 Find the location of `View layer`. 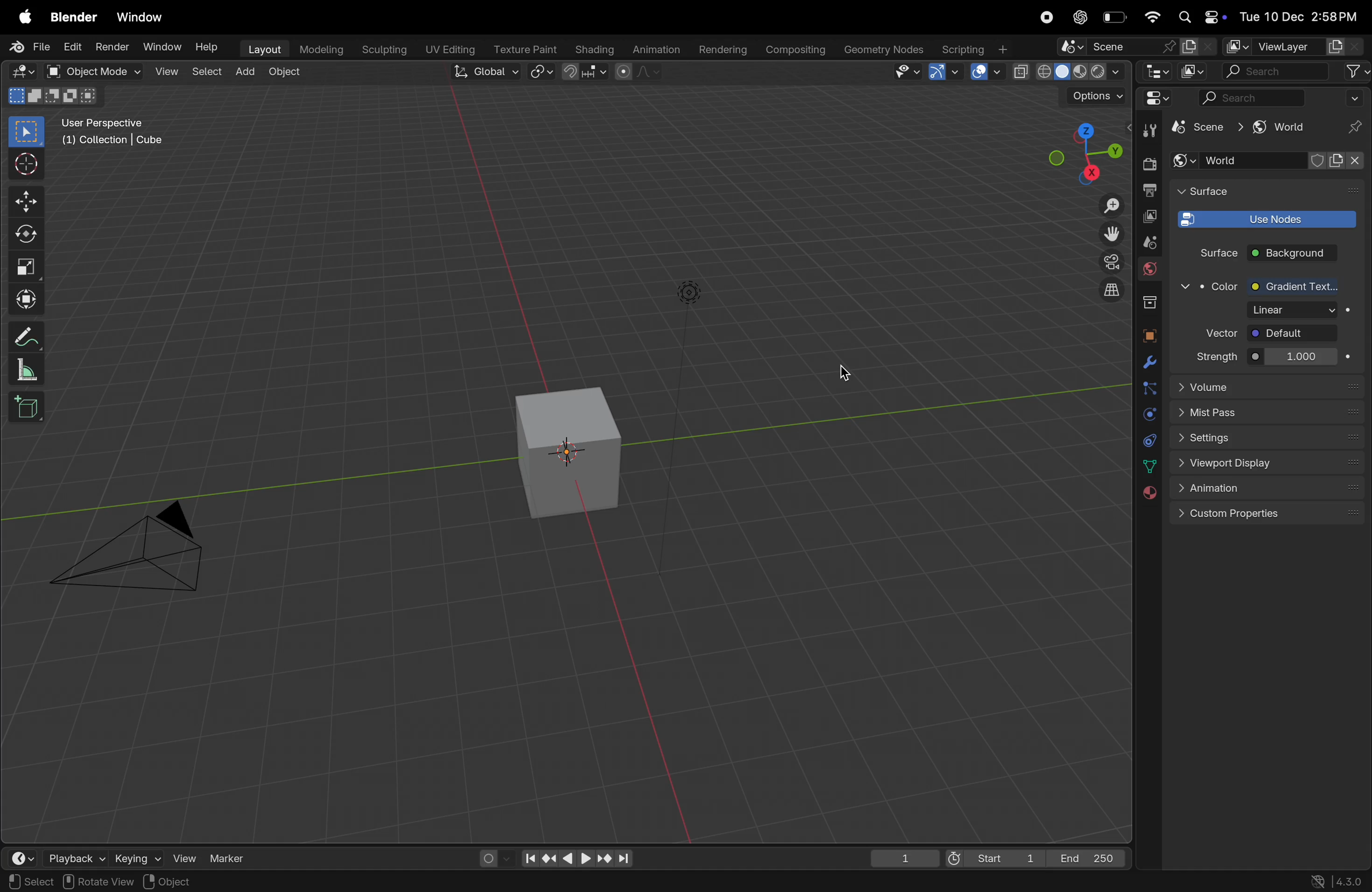

View layer is located at coordinates (1296, 46).